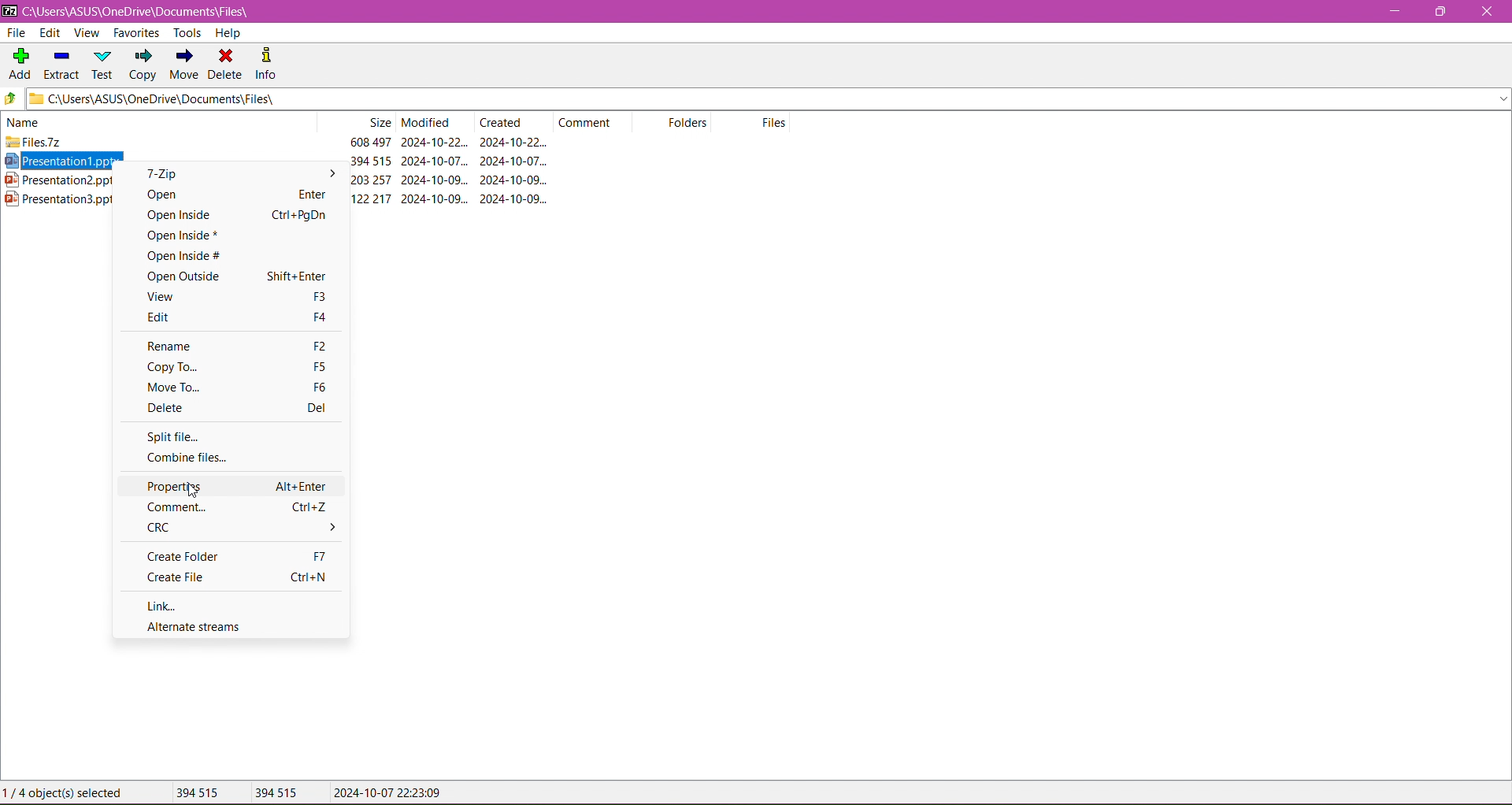  Describe the element at coordinates (139, 33) in the screenshot. I see `Favorites` at that location.